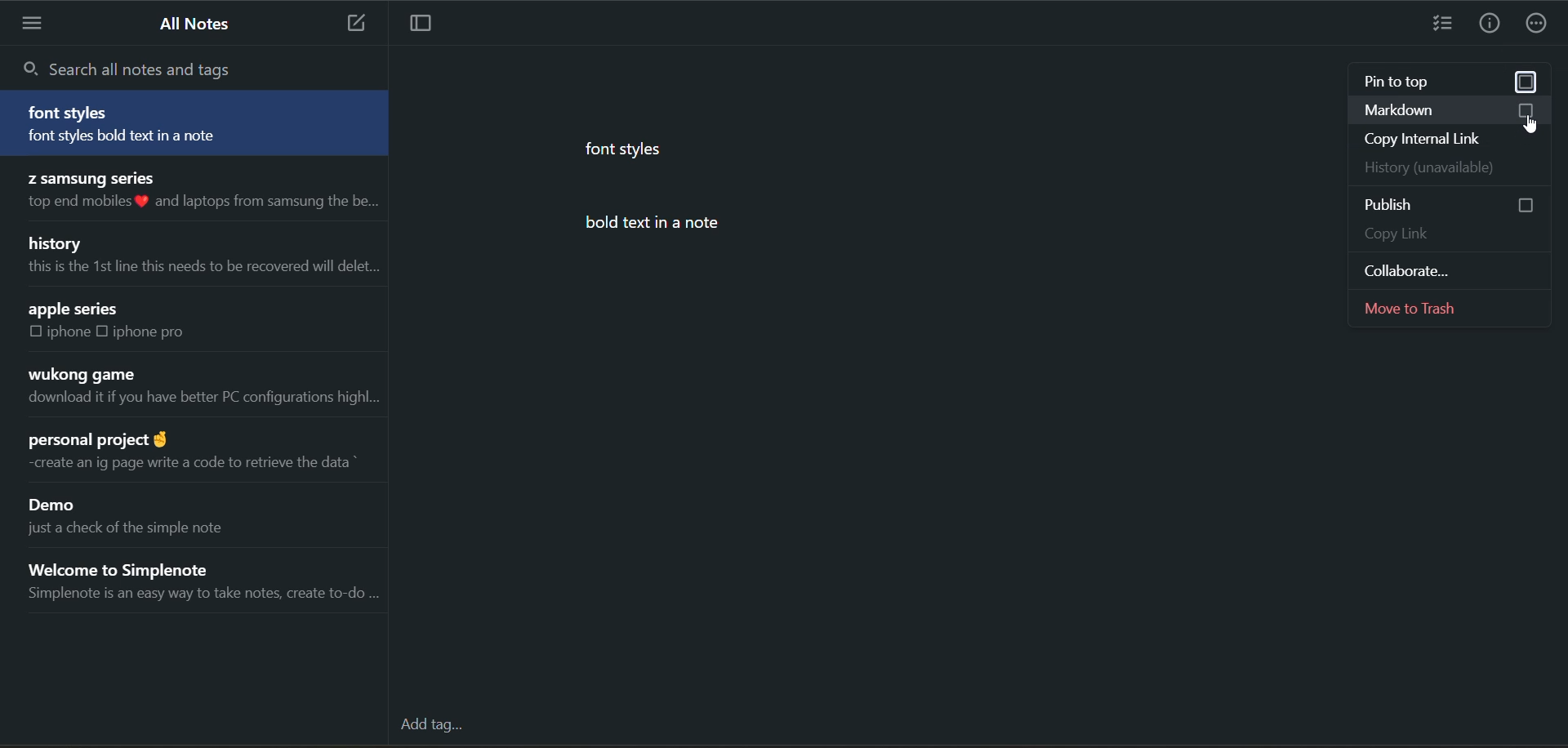  I want to click on top end mobiles % and laptops from samsung the be..., so click(198, 203).